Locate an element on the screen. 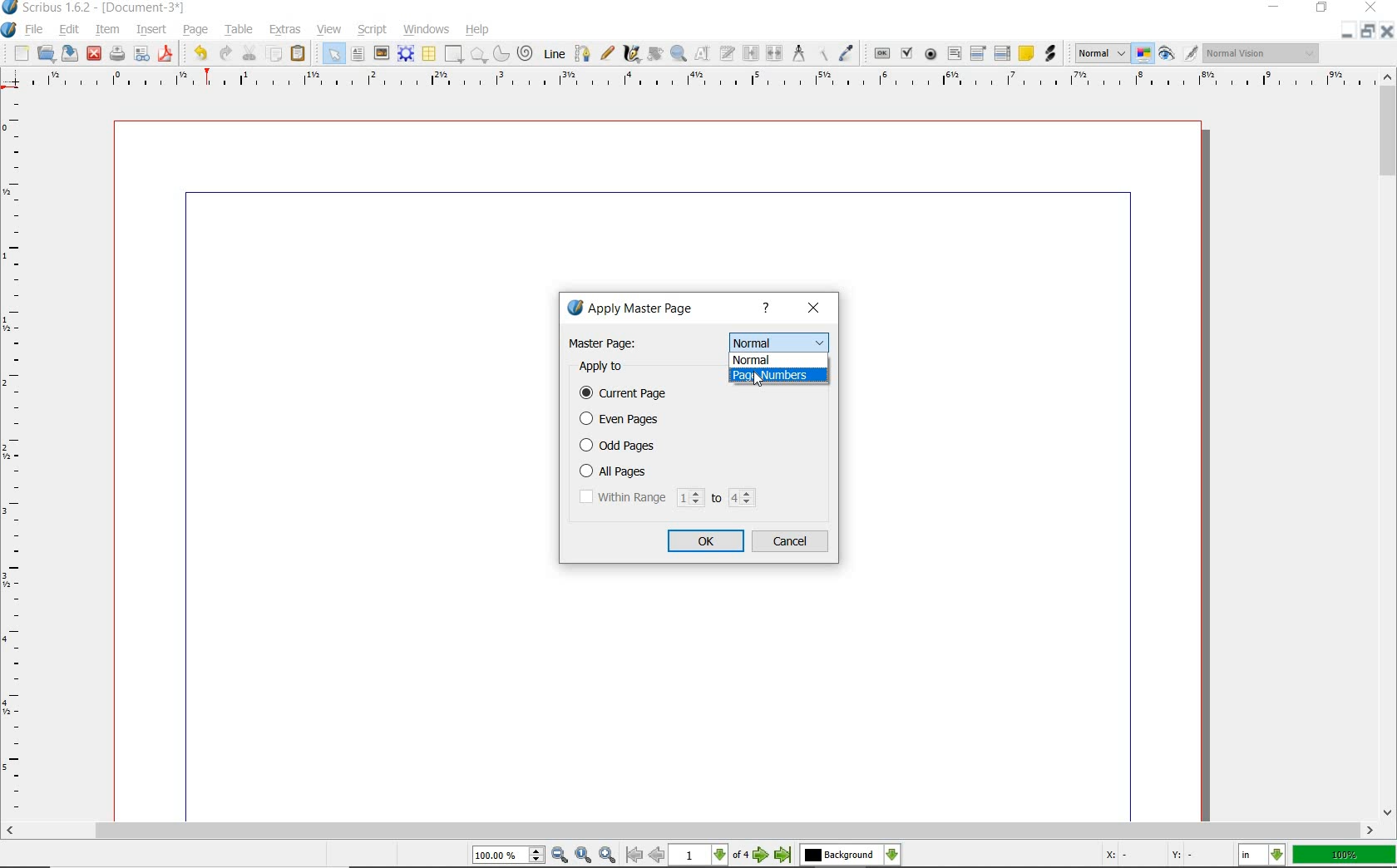 This screenshot has height=868, width=1397. edit is located at coordinates (67, 28).